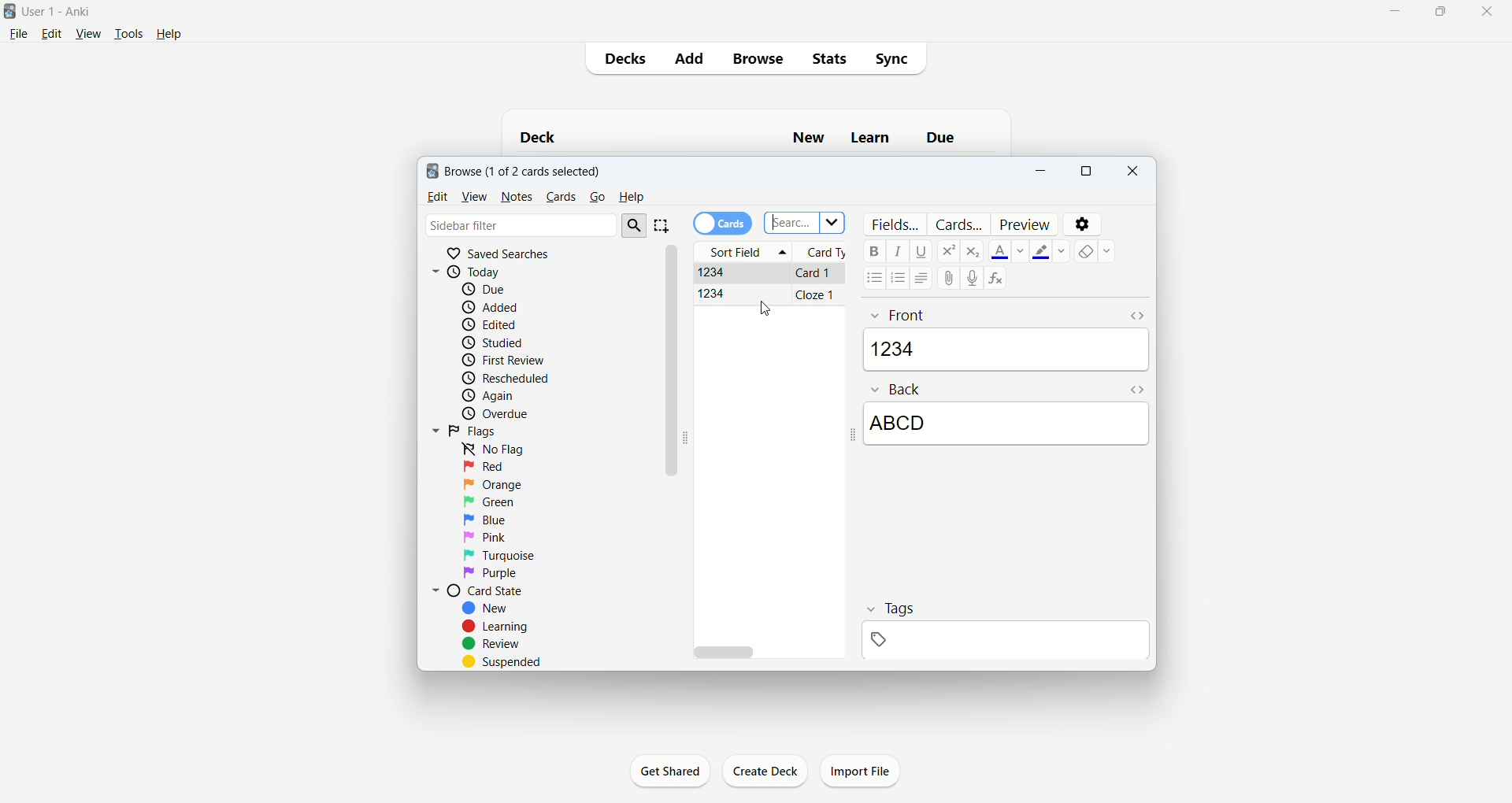  What do you see at coordinates (475, 198) in the screenshot?
I see `view` at bounding box center [475, 198].